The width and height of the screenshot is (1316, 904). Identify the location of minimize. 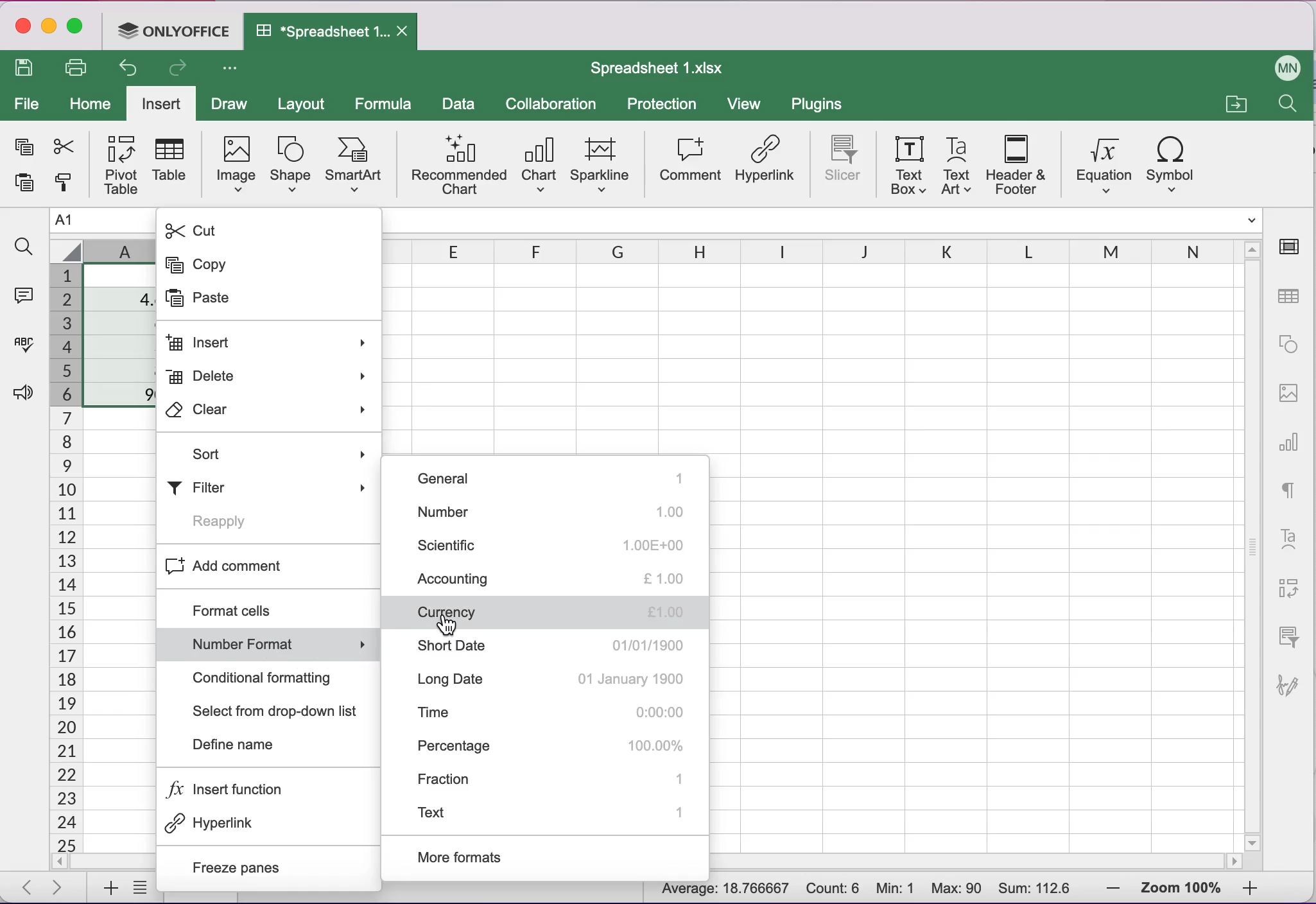
(50, 28).